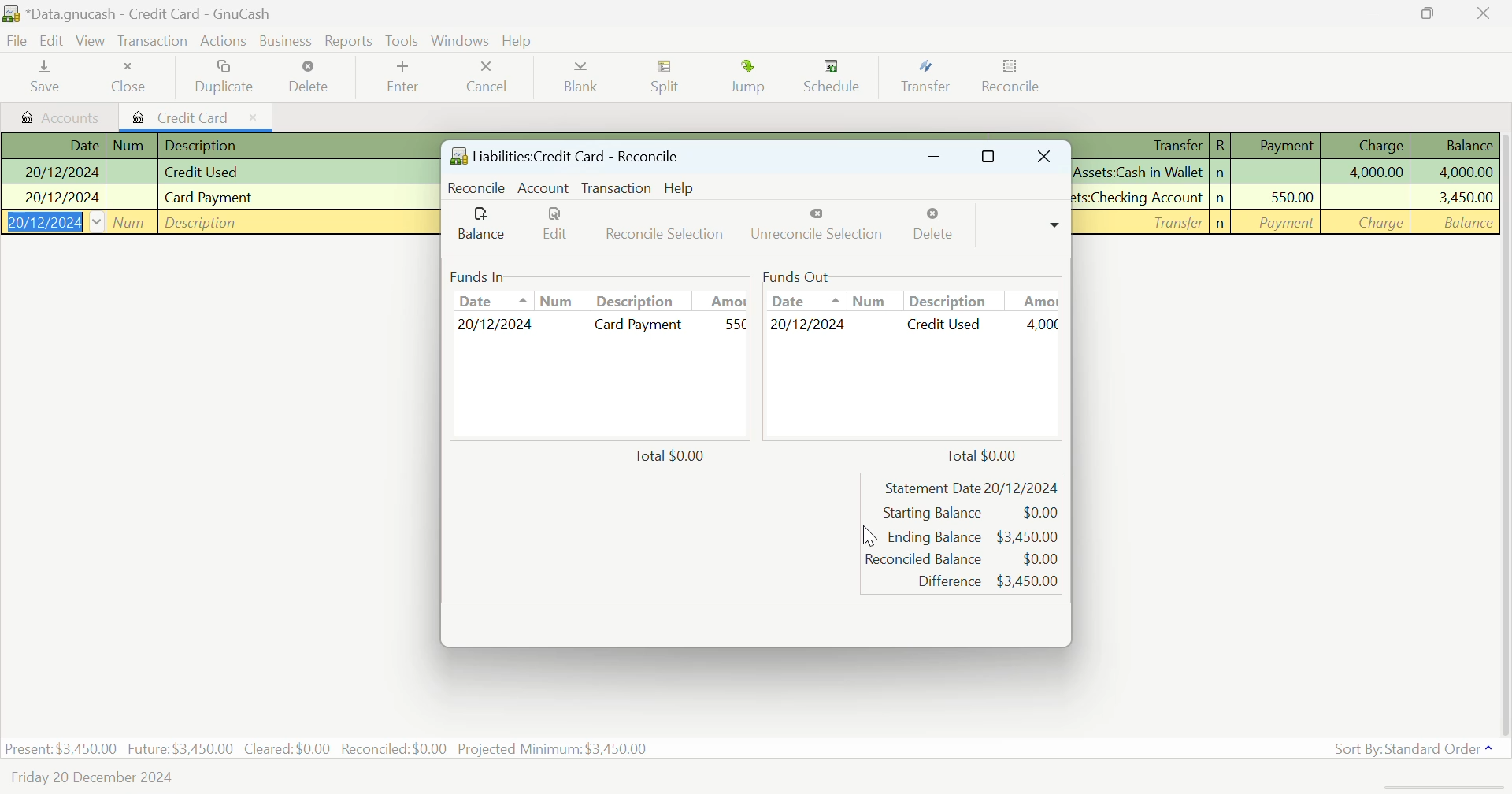  Describe the element at coordinates (667, 80) in the screenshot. I see `Split` at that location.